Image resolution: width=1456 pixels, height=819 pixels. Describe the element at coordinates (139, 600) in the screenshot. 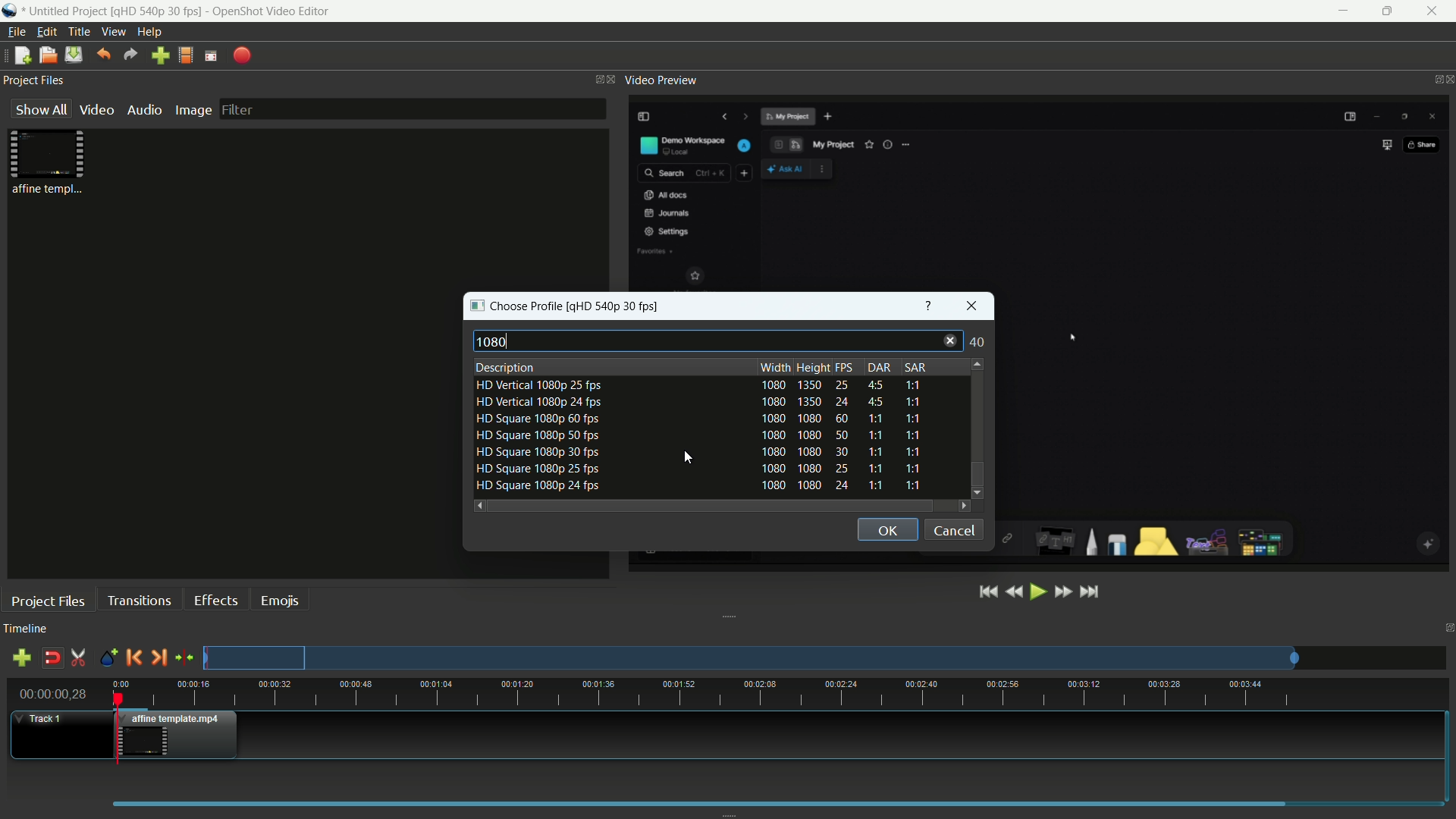

I see `transitions` at that location.